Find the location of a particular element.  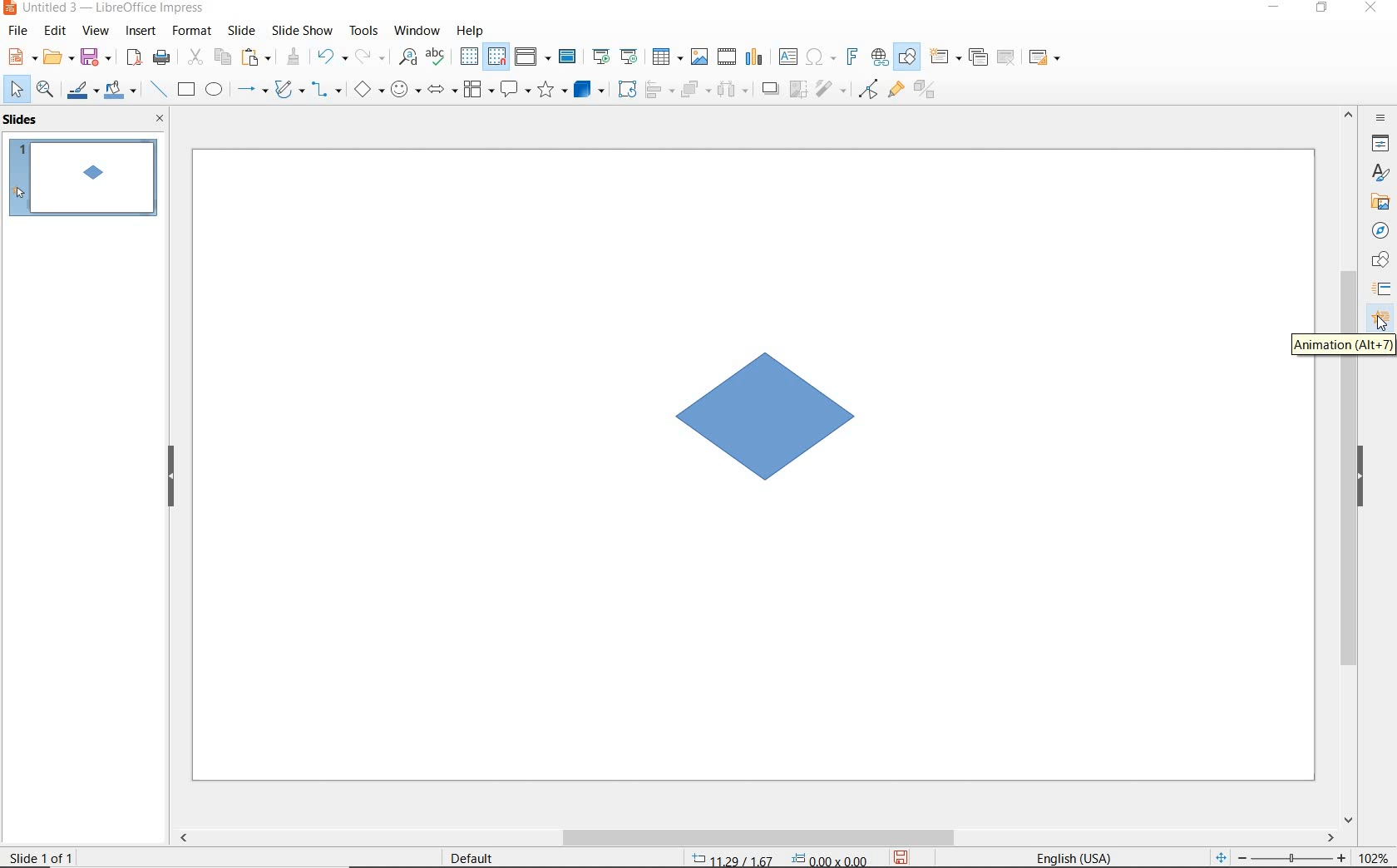

shadow is located at coordinates (770, 89).